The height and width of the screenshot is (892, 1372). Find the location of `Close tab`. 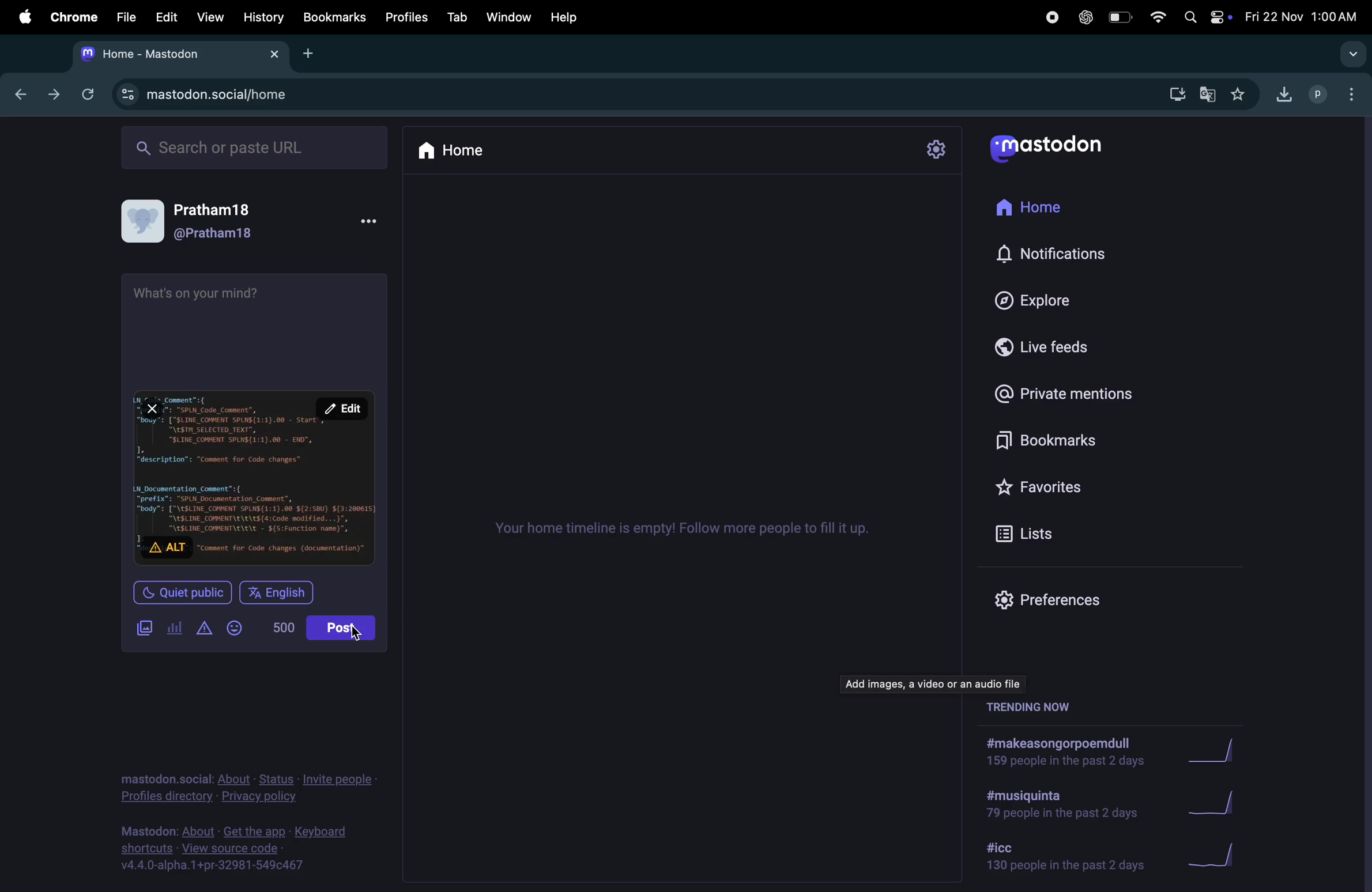

Close tab is located at coordinates (275, 58).